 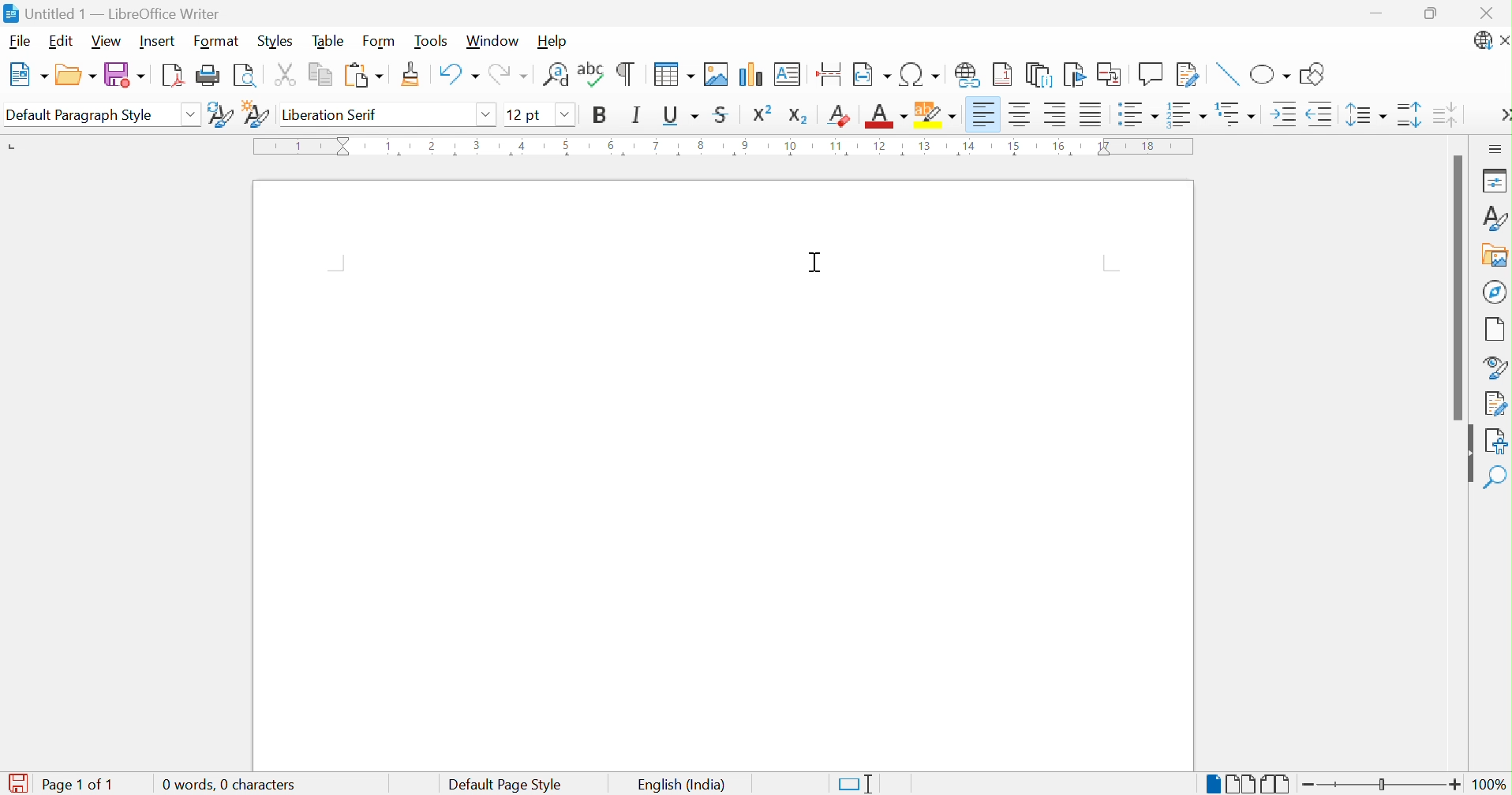 What do you see at coordinates (219, 115) in the screenshot?
I see `Update selected style` at bounding box center [219, 115].